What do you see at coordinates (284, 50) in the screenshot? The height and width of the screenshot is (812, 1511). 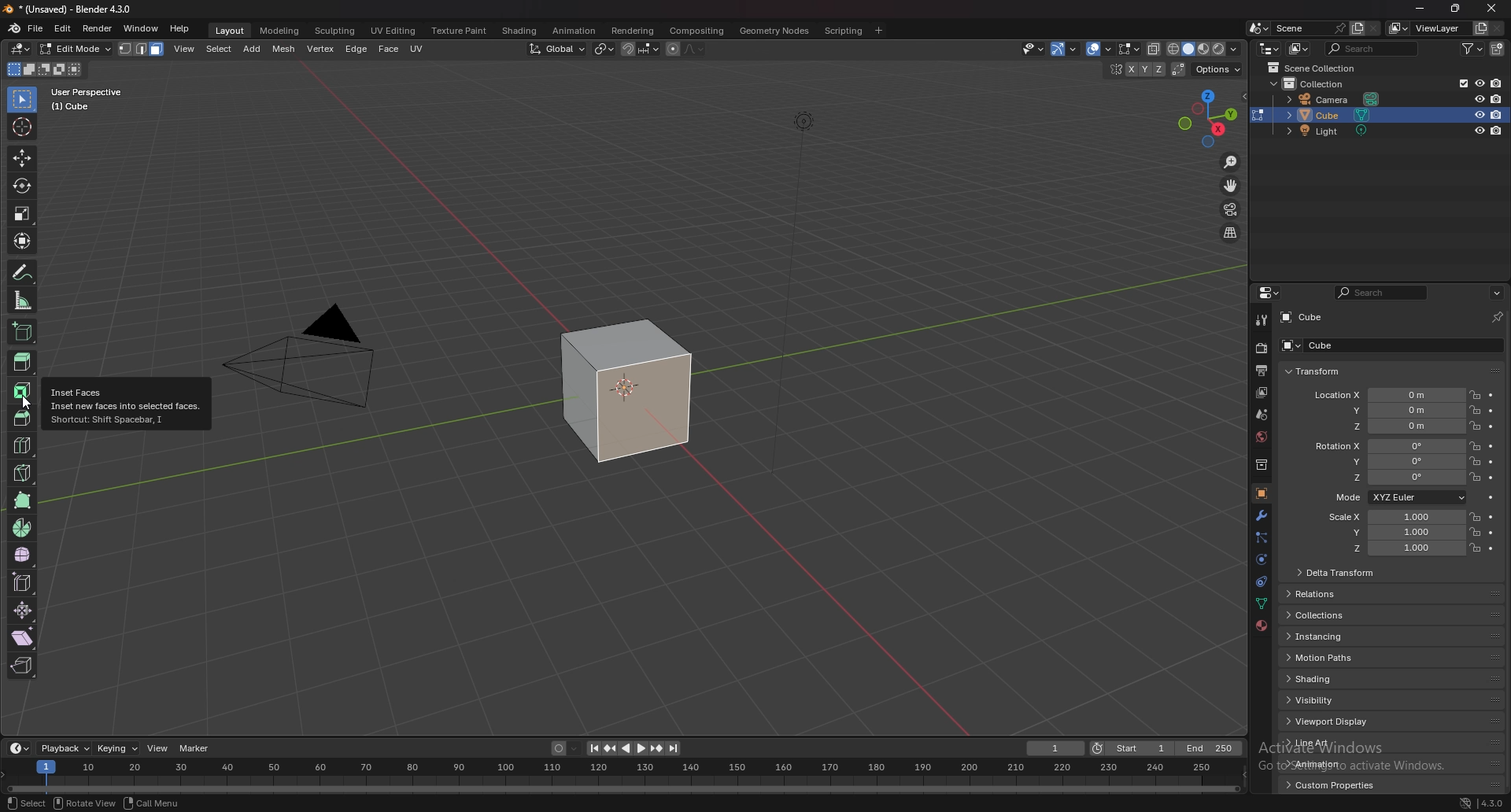 I see `mesh` at bounding box center [284, 50].